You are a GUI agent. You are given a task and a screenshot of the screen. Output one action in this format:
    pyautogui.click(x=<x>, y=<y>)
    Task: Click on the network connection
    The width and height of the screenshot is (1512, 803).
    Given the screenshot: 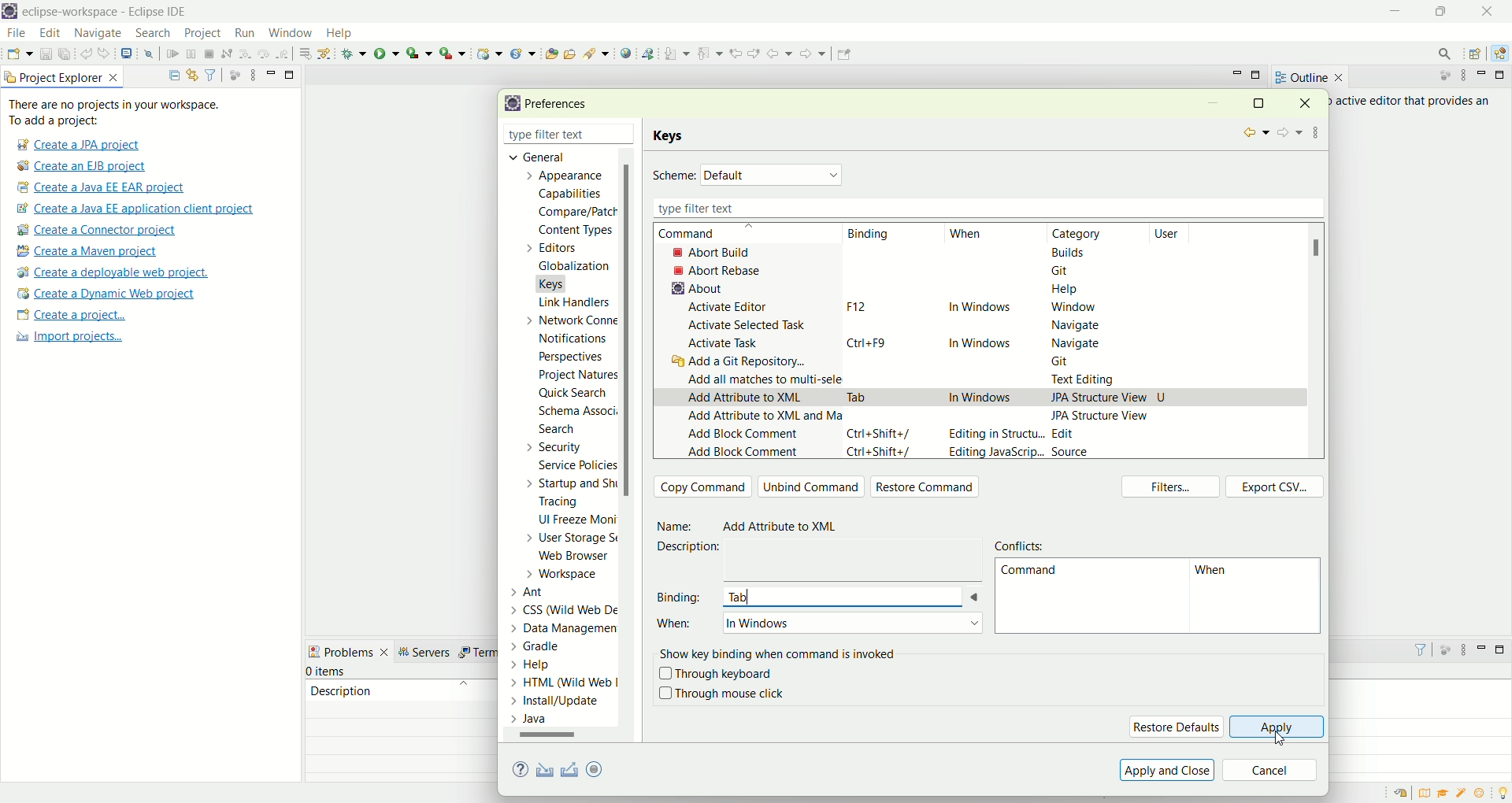 What is the action you would take?
    pyautogui.click(x=568, y=320)
    